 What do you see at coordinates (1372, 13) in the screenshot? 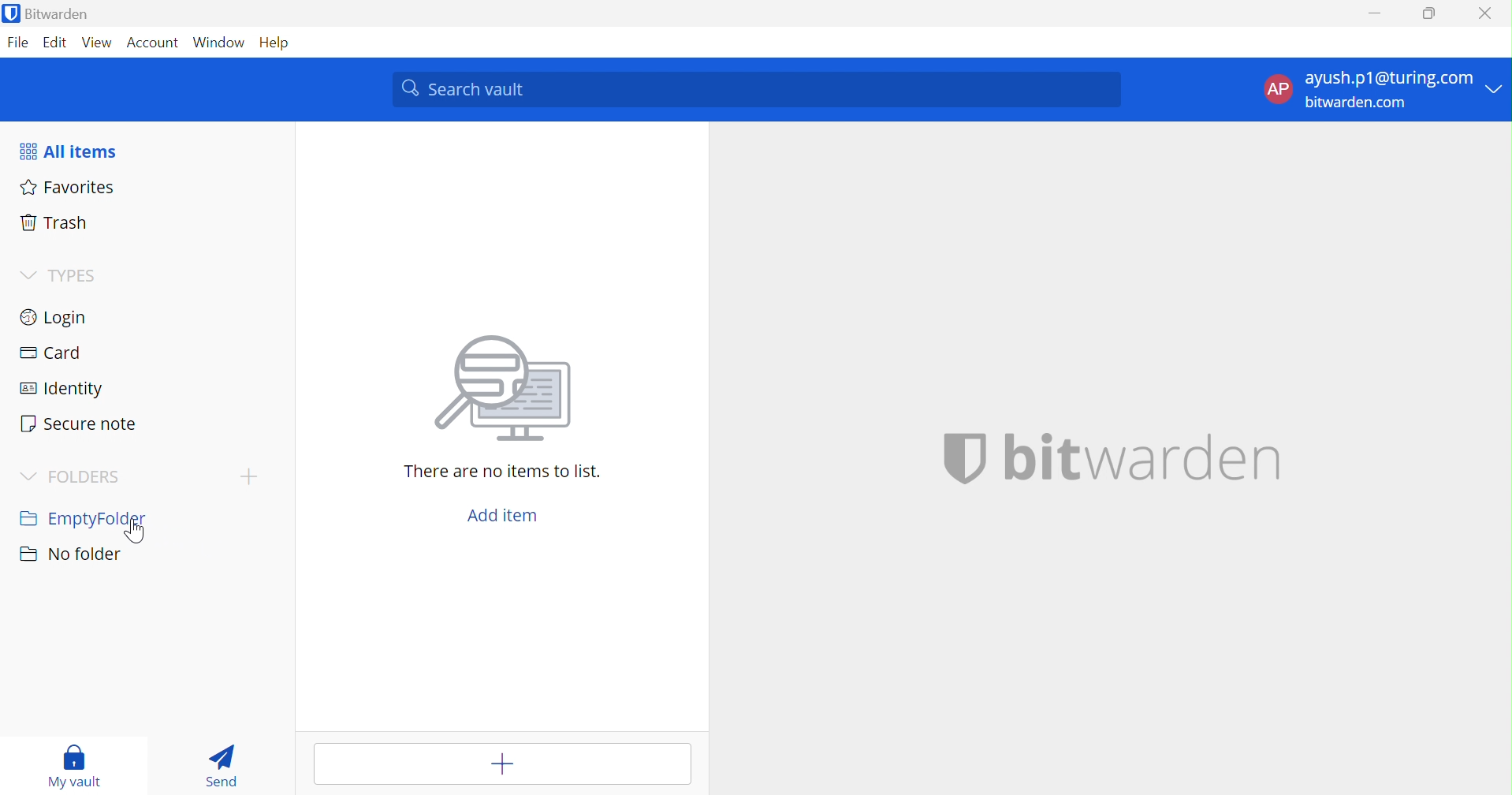
I see `Minimize` at bounding box center [1372, 13].